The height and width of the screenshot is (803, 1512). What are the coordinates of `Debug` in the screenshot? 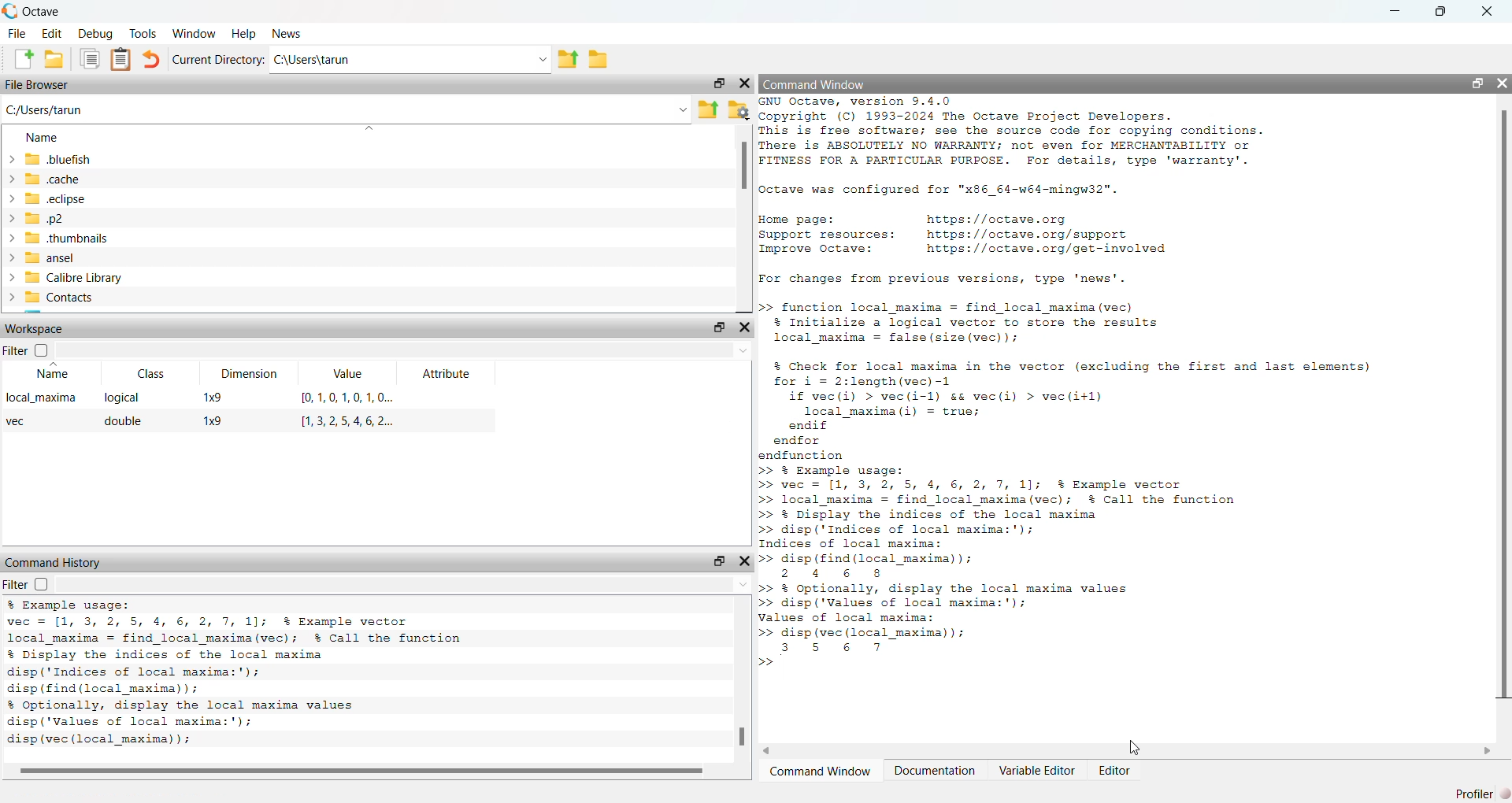 It's located at (96, 33).